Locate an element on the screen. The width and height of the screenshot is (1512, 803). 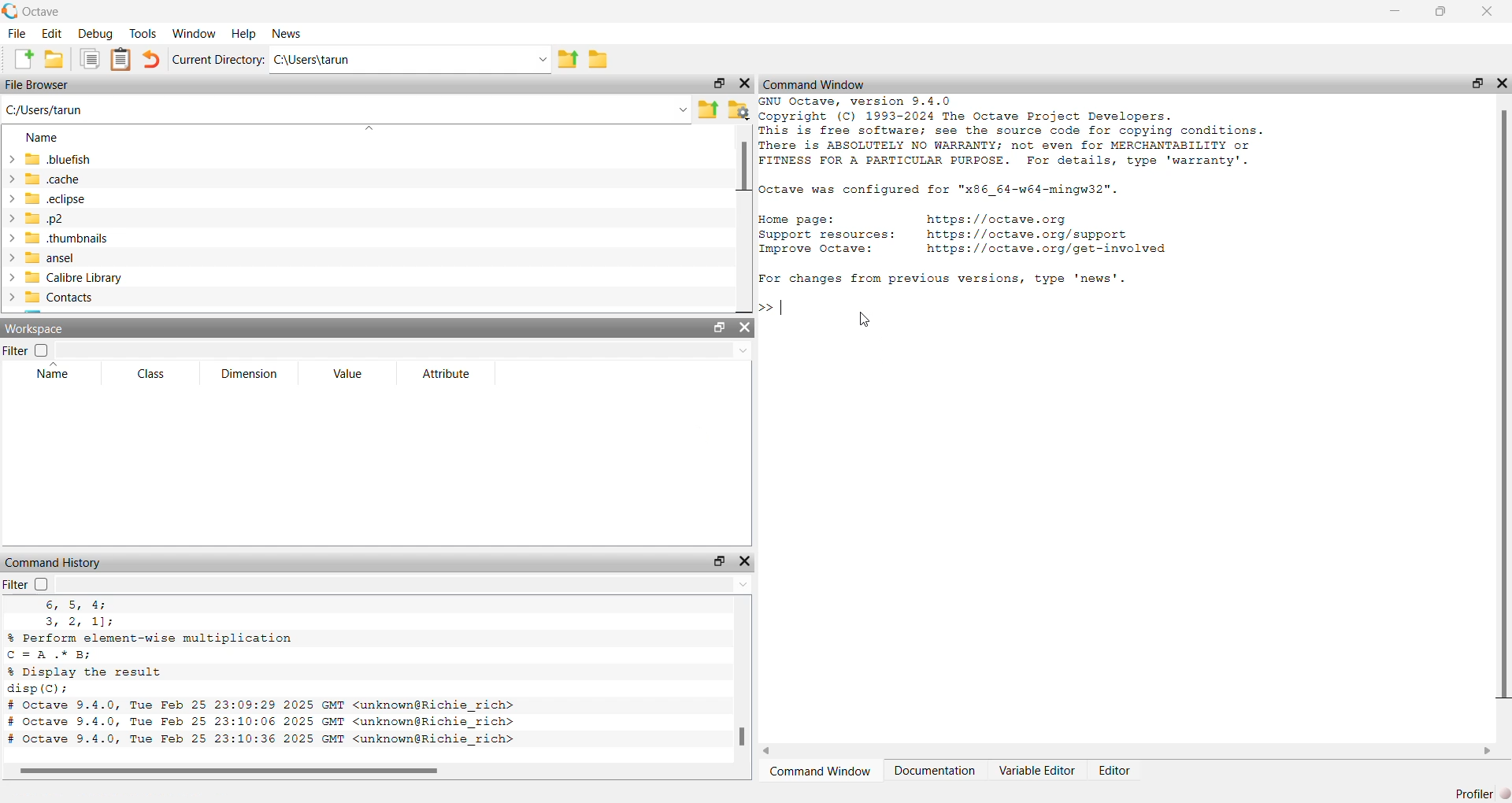
Current Directory: is located at coordinates (220, 61).